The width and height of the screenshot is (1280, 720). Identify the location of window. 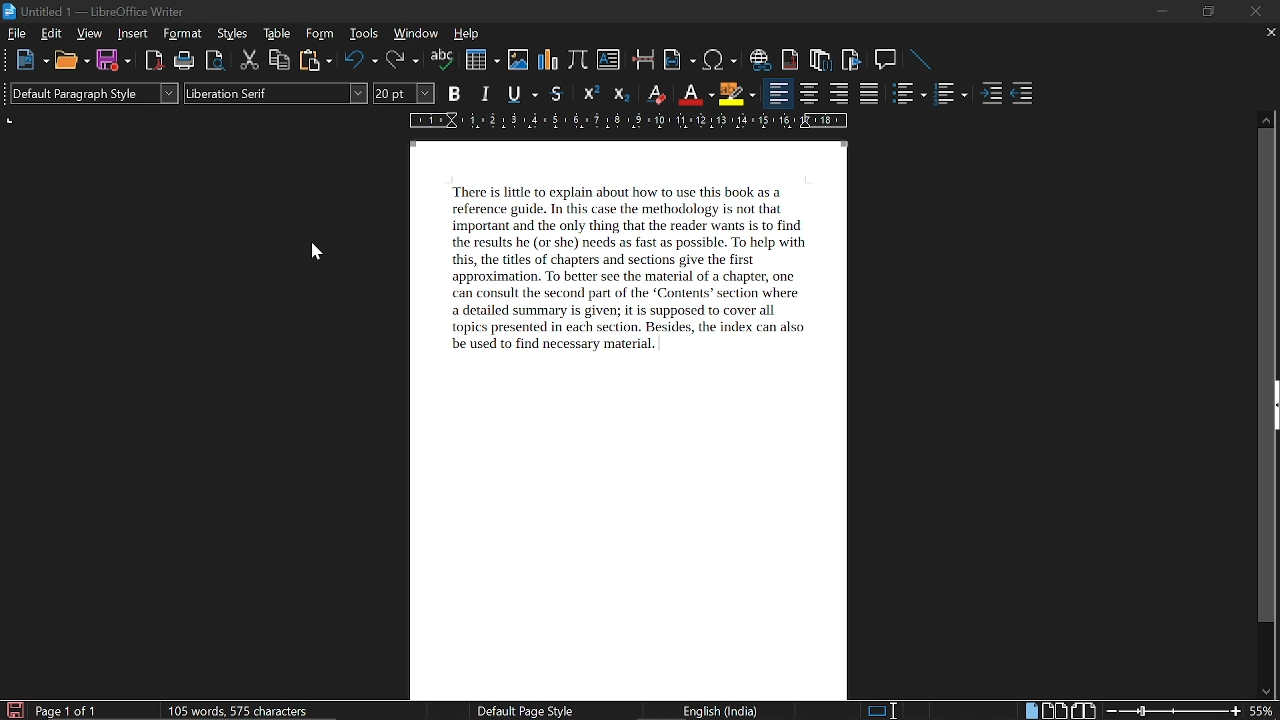
(416, 34).